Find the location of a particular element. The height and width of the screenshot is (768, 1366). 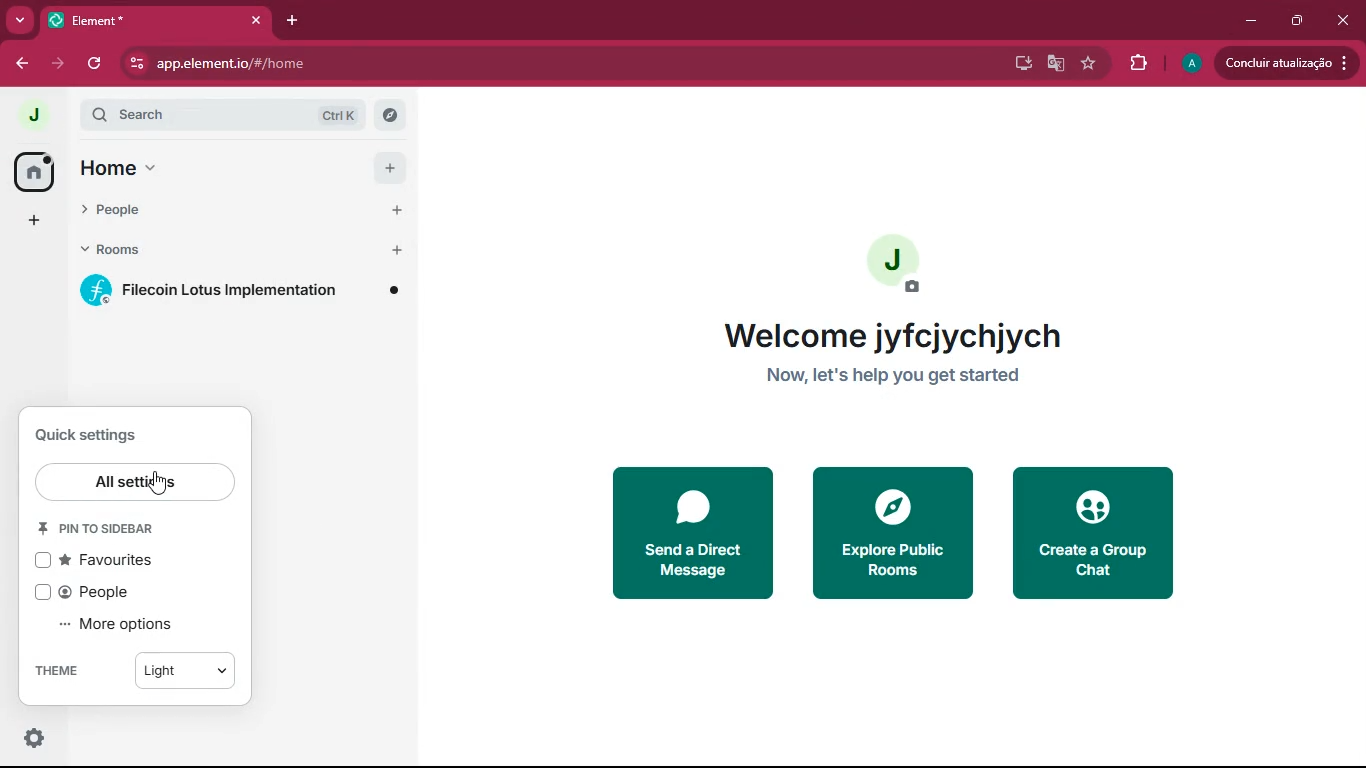

settings is located at coordinates (29, 740).